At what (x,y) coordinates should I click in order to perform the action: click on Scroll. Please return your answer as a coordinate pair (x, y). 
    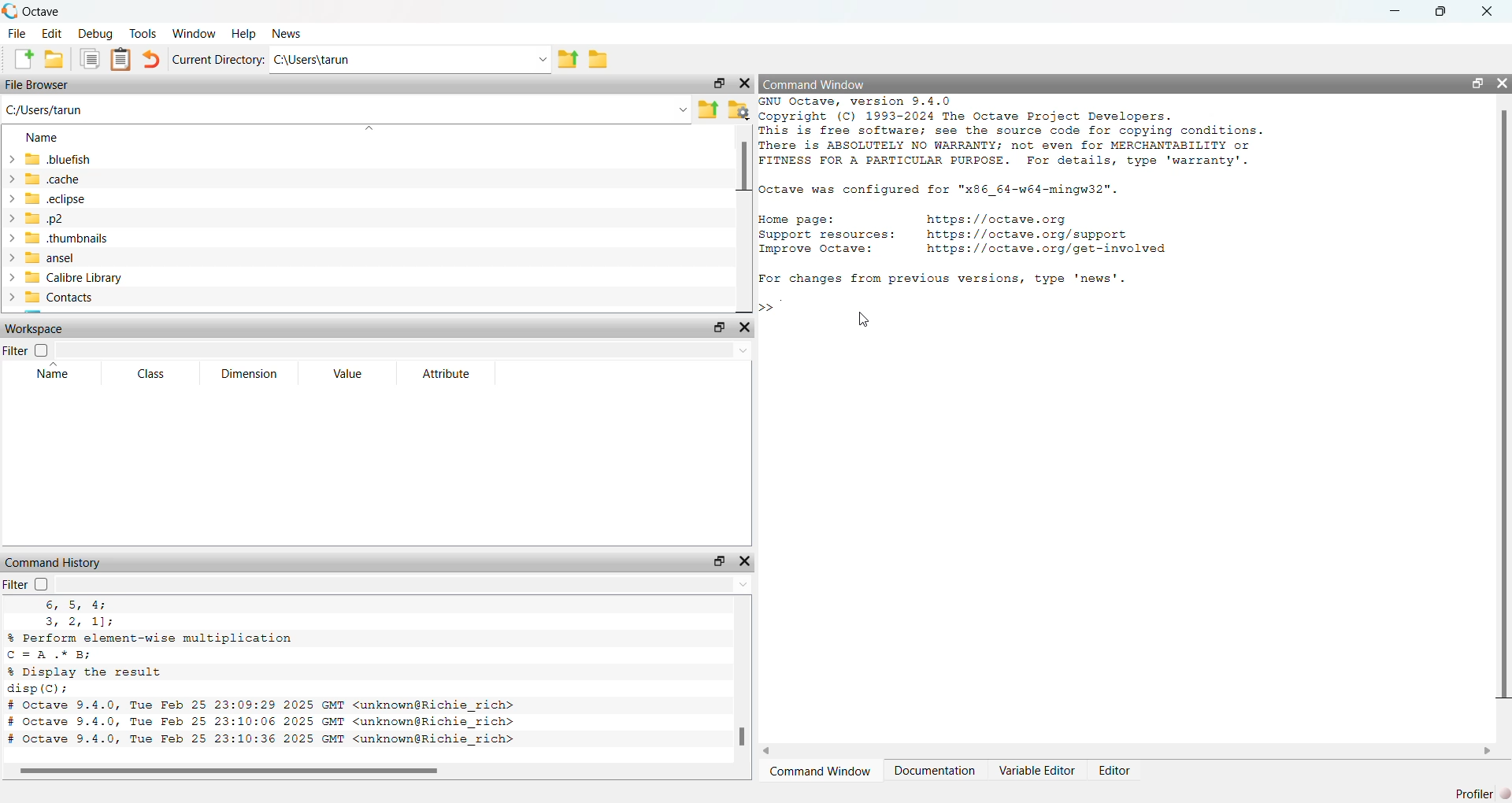
    Looking at the image, I should click on (1504, 426).